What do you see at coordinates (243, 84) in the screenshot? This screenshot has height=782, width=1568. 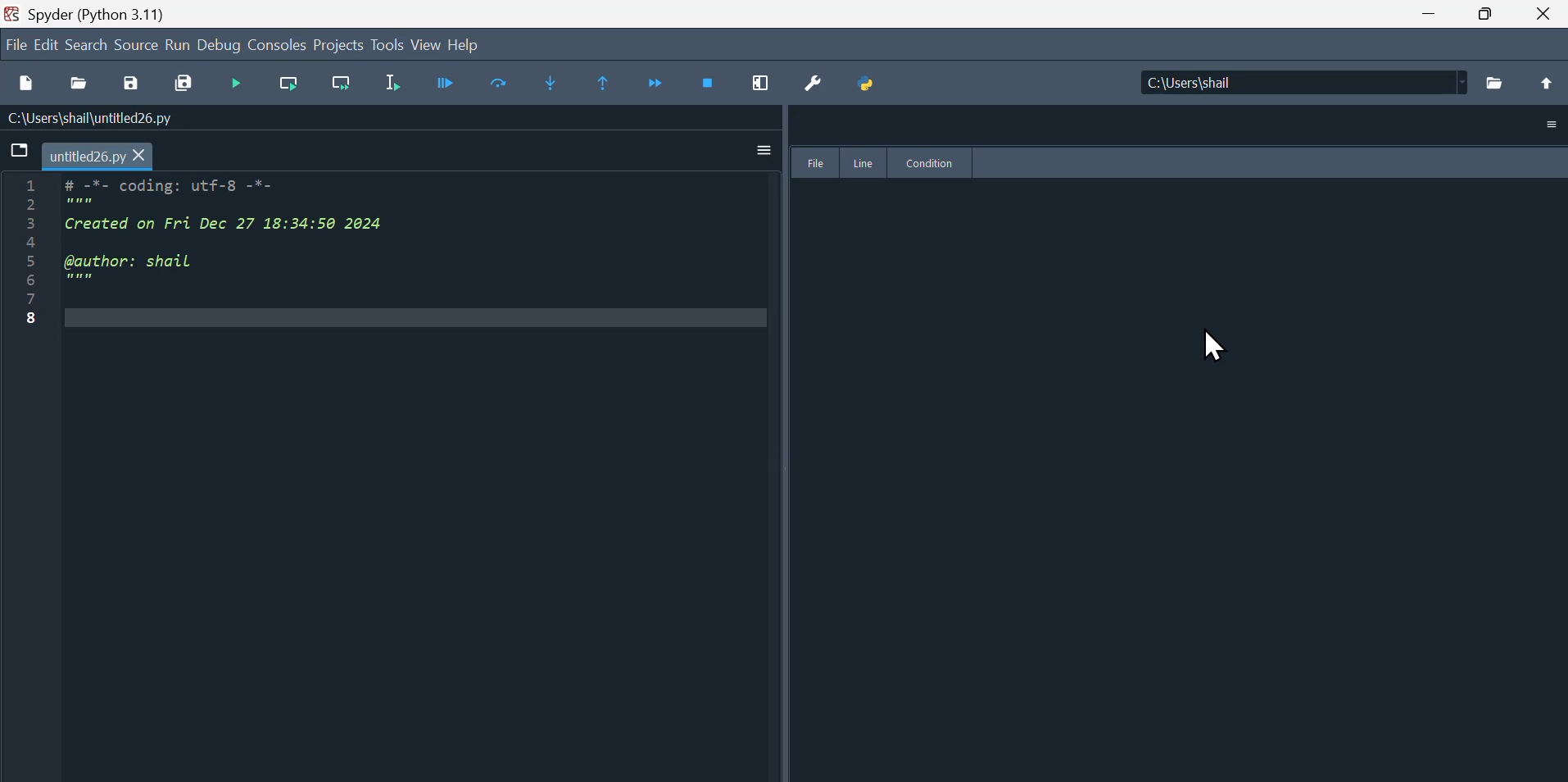 I see `` at bounding box center [243, 84].